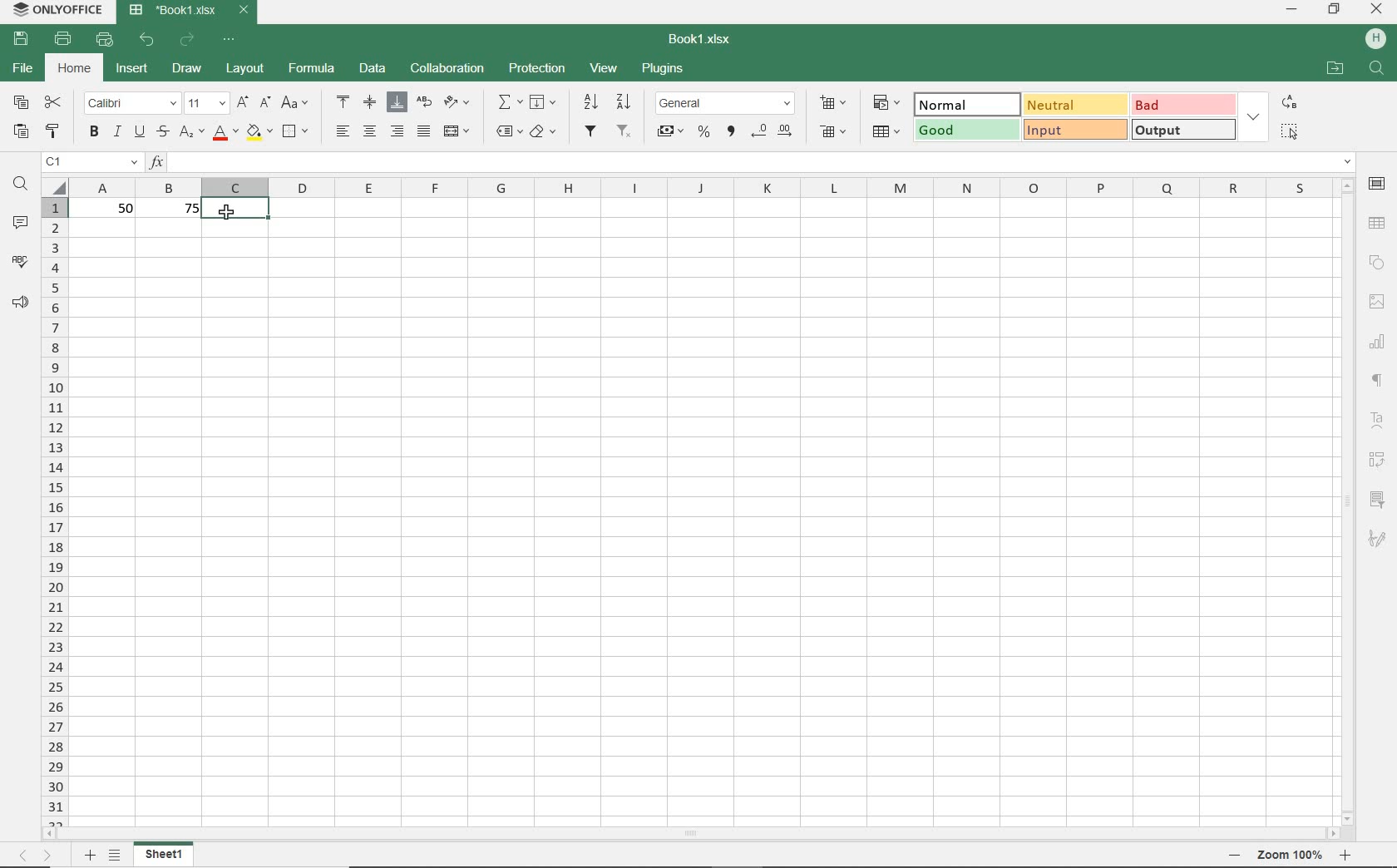 Image resolution: width=1397 pixels, height=868 pixels. Describe the element at coordinates (90, 855) in the screenshot. I see `add sheets` at that location.